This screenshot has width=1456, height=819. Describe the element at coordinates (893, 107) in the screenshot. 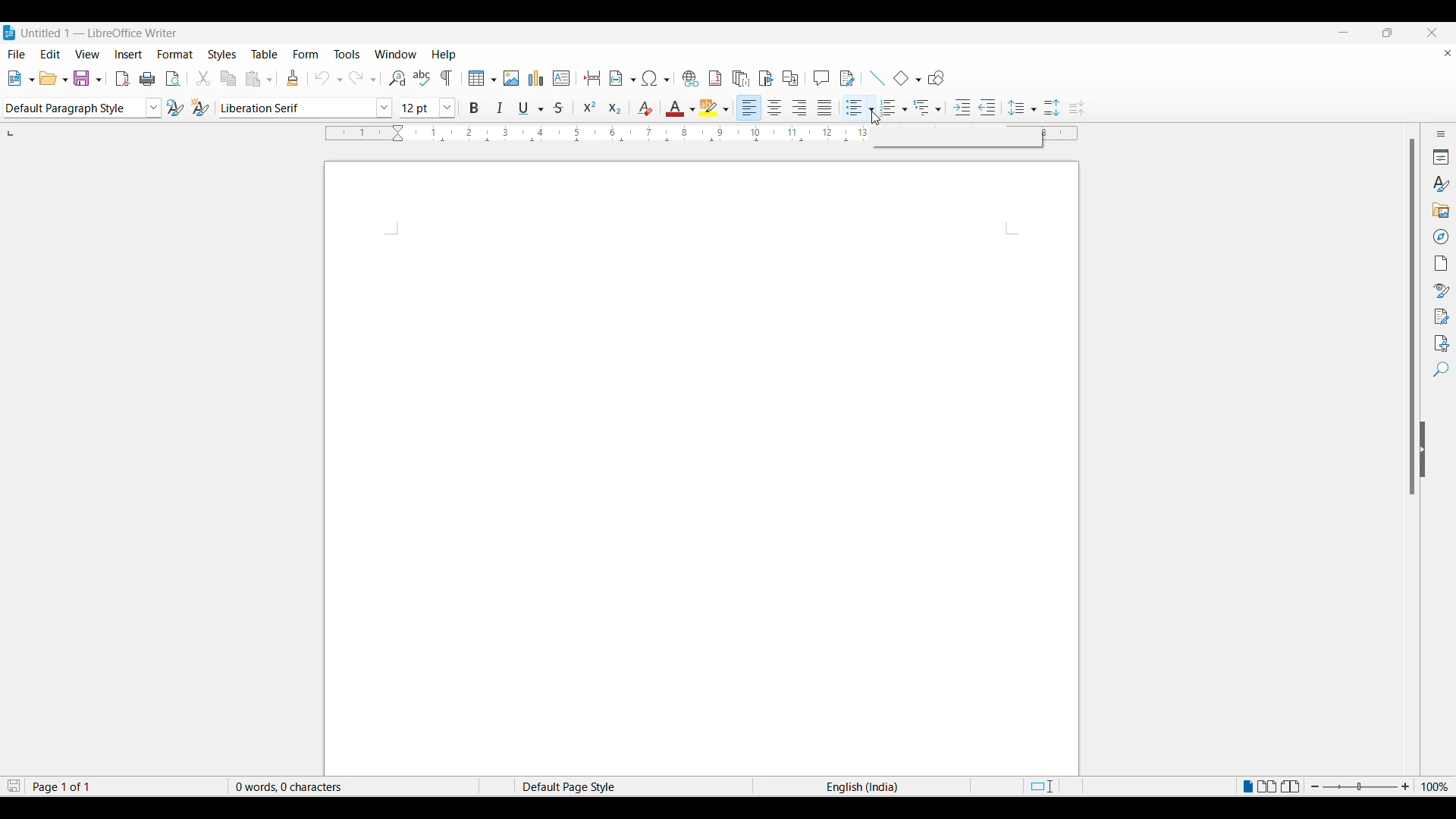

I see `Selected toggle ordered list` at that location.